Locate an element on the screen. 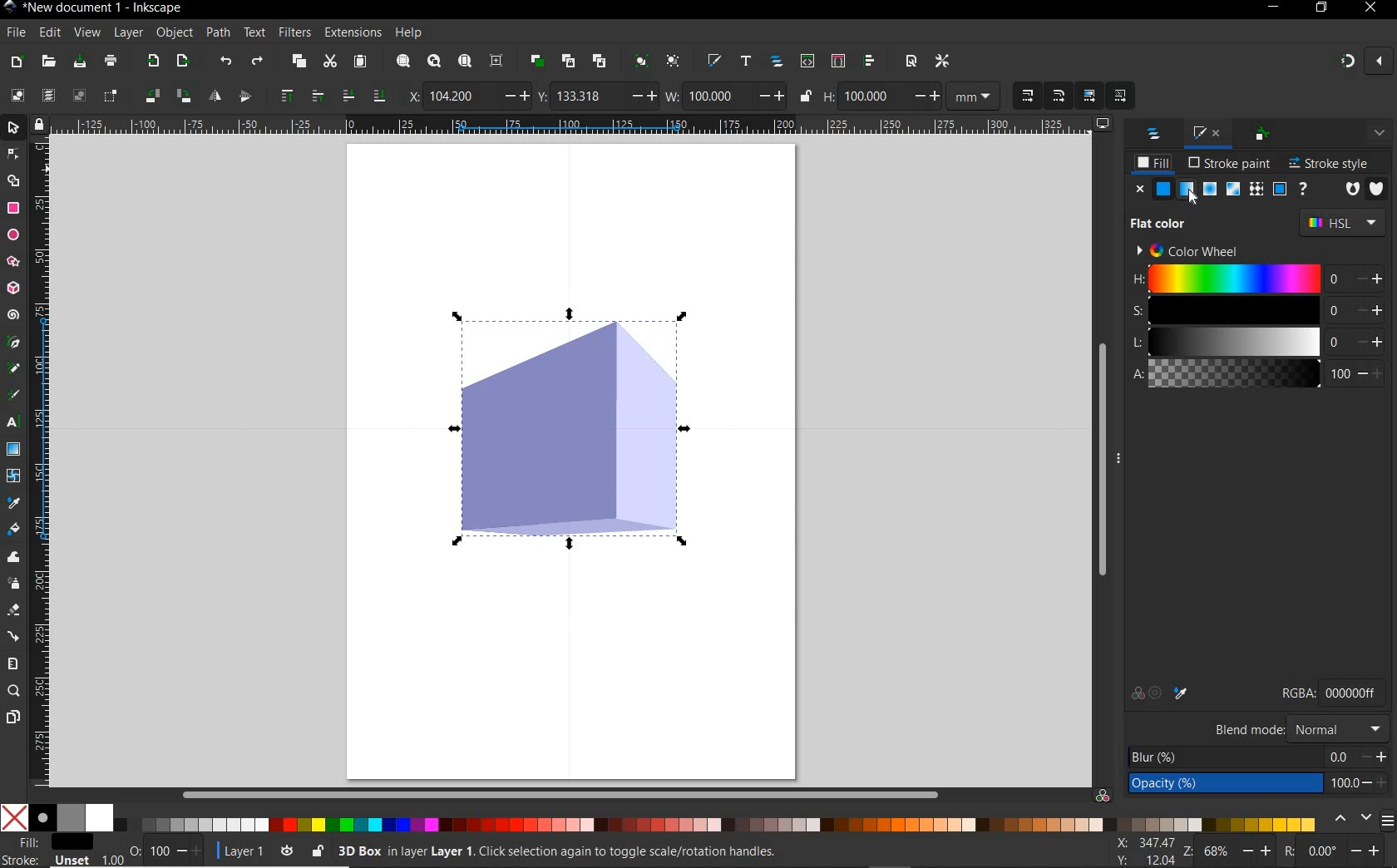 This screenshot has height=868, width=1397. 1.00 is located at coordinates (112, 860).